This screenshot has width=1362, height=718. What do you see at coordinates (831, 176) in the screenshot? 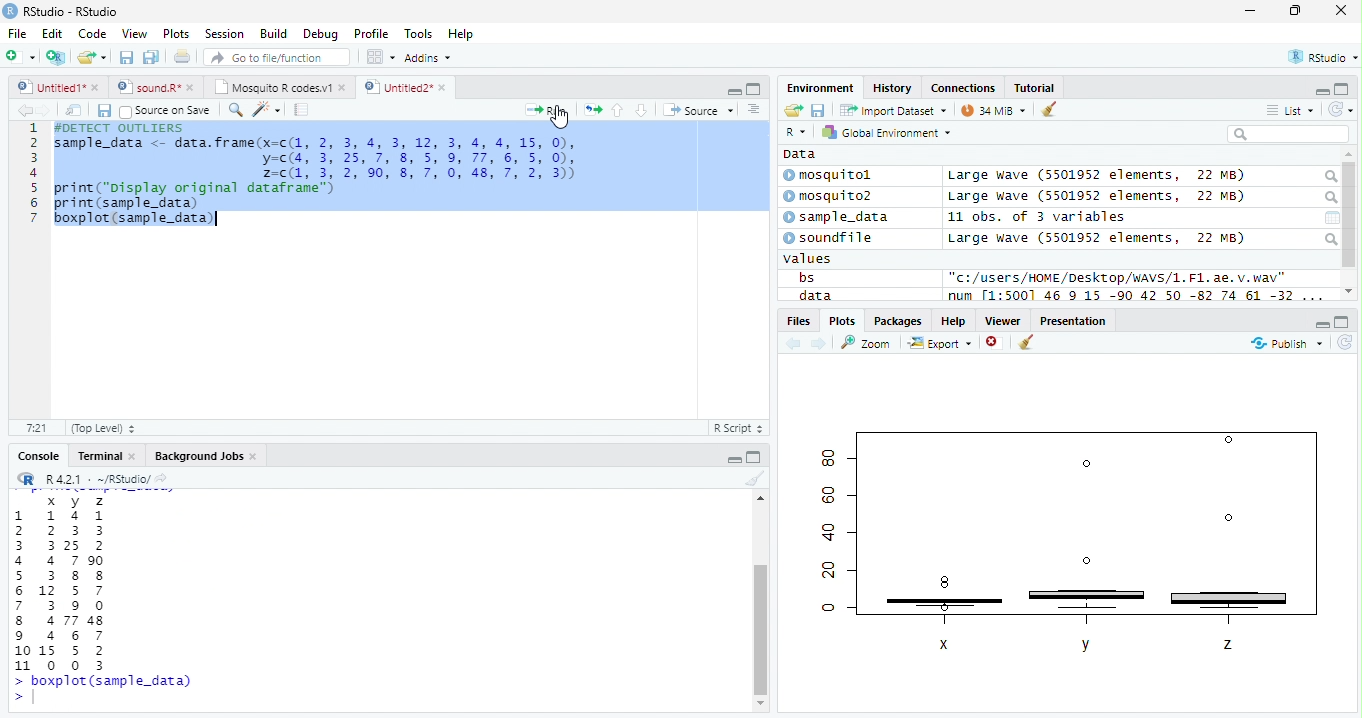
I see `mosquito1` at bounding box center [831, 176].